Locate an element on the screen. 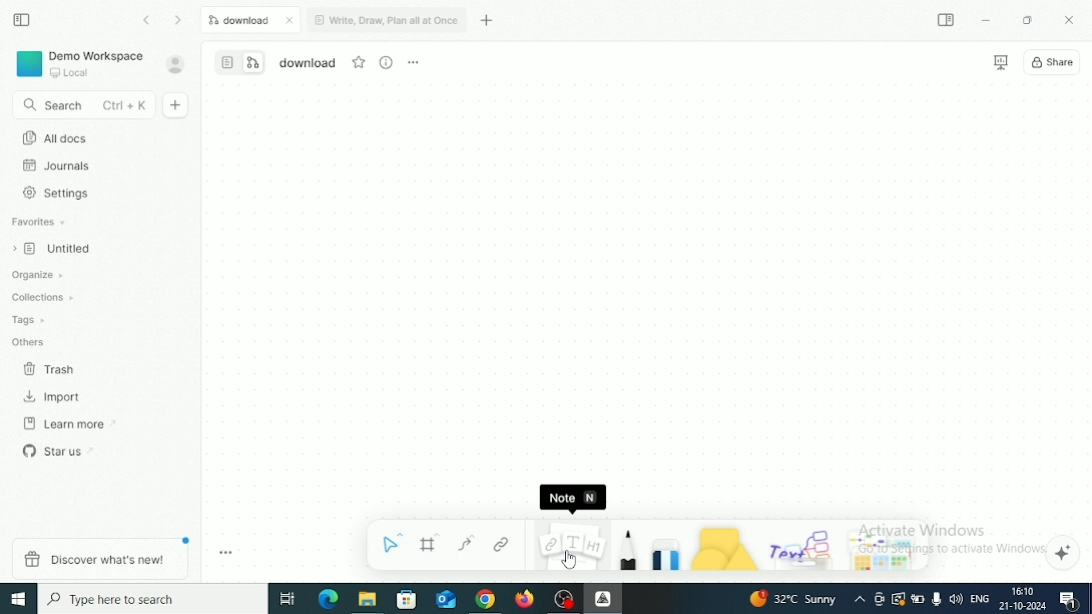 The image size is (1092, 614). Firefox is located at coordinates (526, 600).